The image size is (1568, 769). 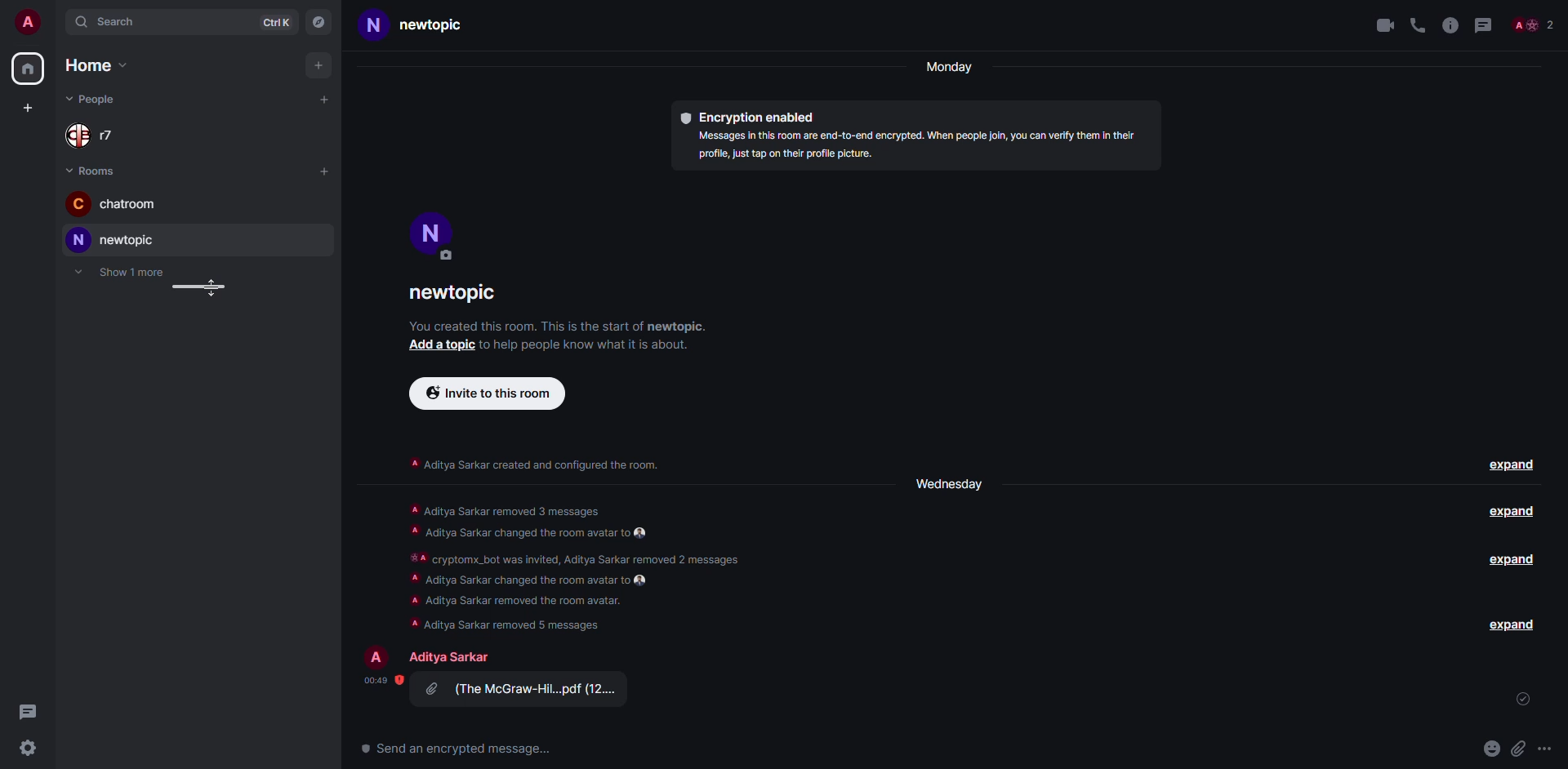 I want to click on time, so click(x=377, y=681).